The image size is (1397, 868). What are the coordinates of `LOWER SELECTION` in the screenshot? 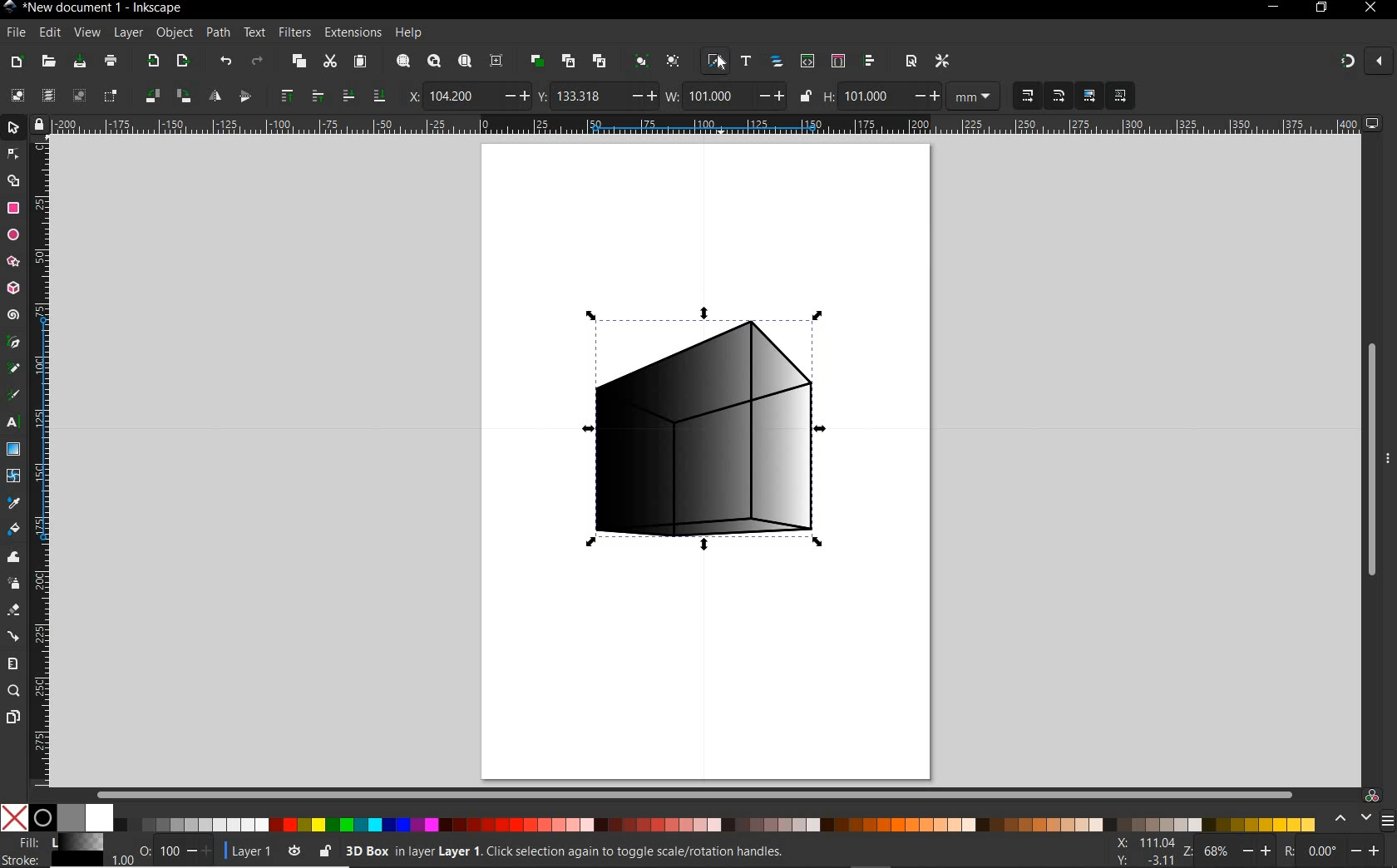 It's located at (378, 95).